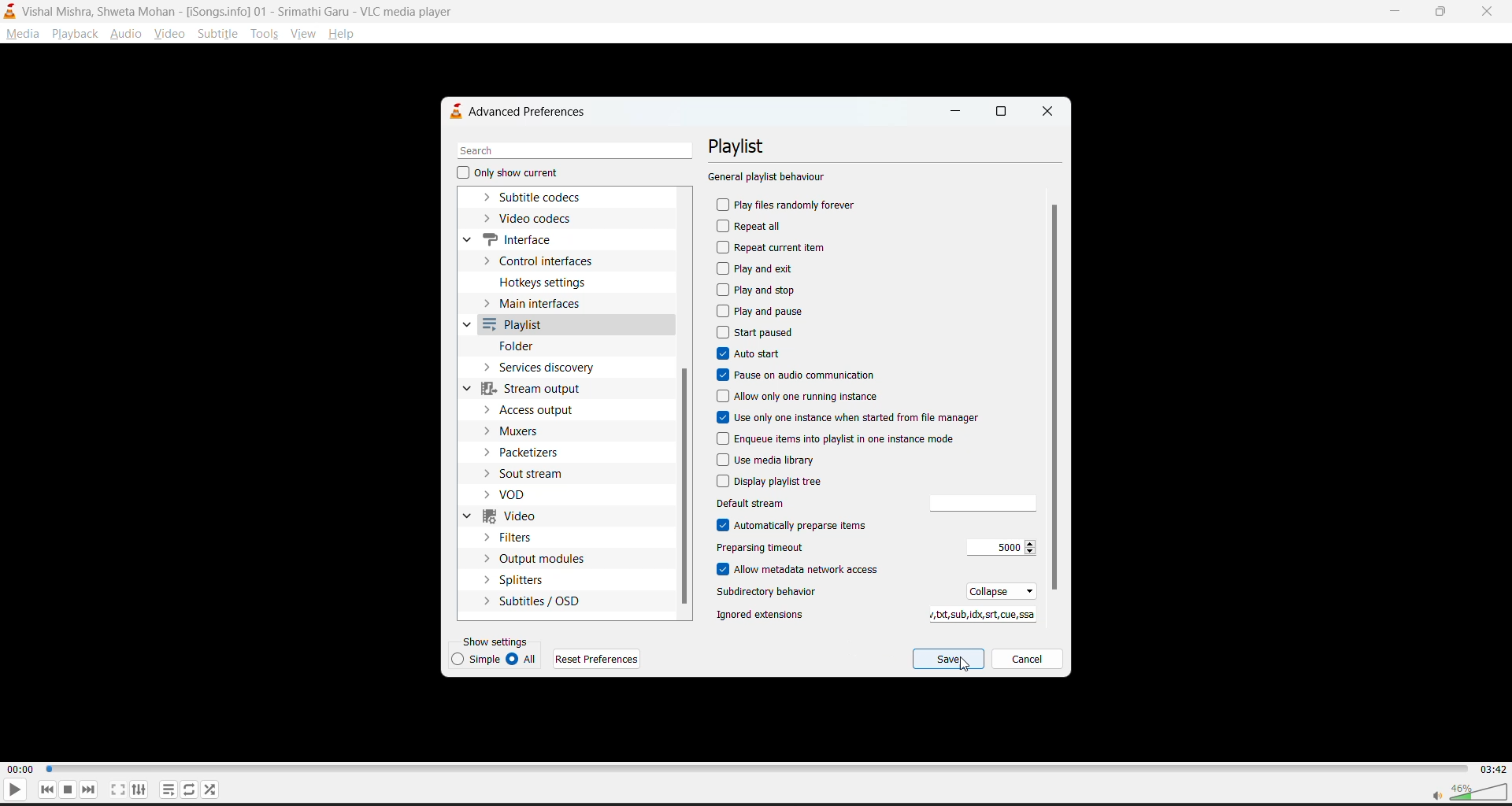 The image size is (1512, 806). Describe the element at coordinates (521, 346) in the screenshot. I see `folder` at that location.